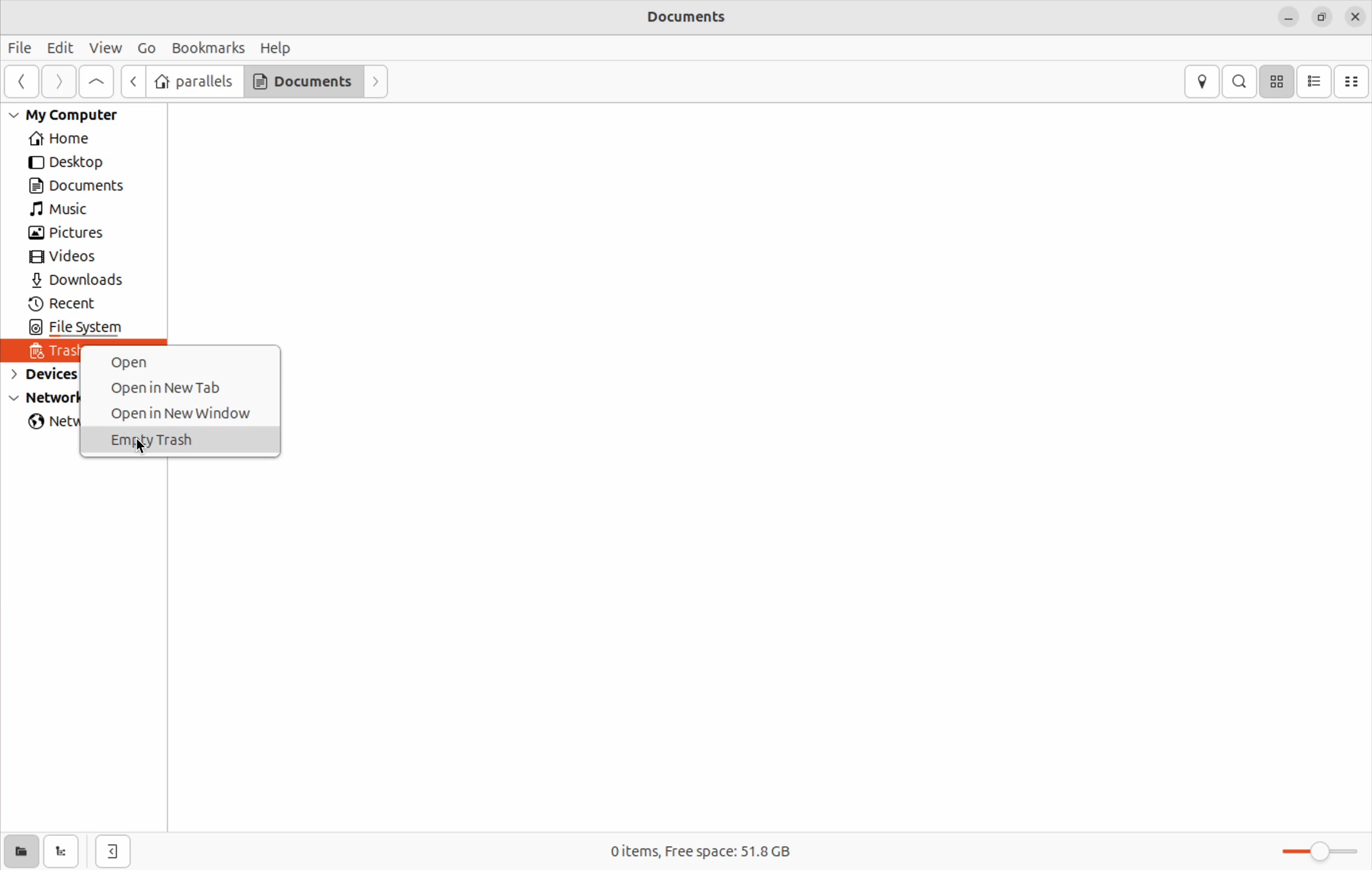 This screenshot has width=1372, height=870. Describe the element at coordinates (20, 851) in the screenshot. I see `show places` at that location.